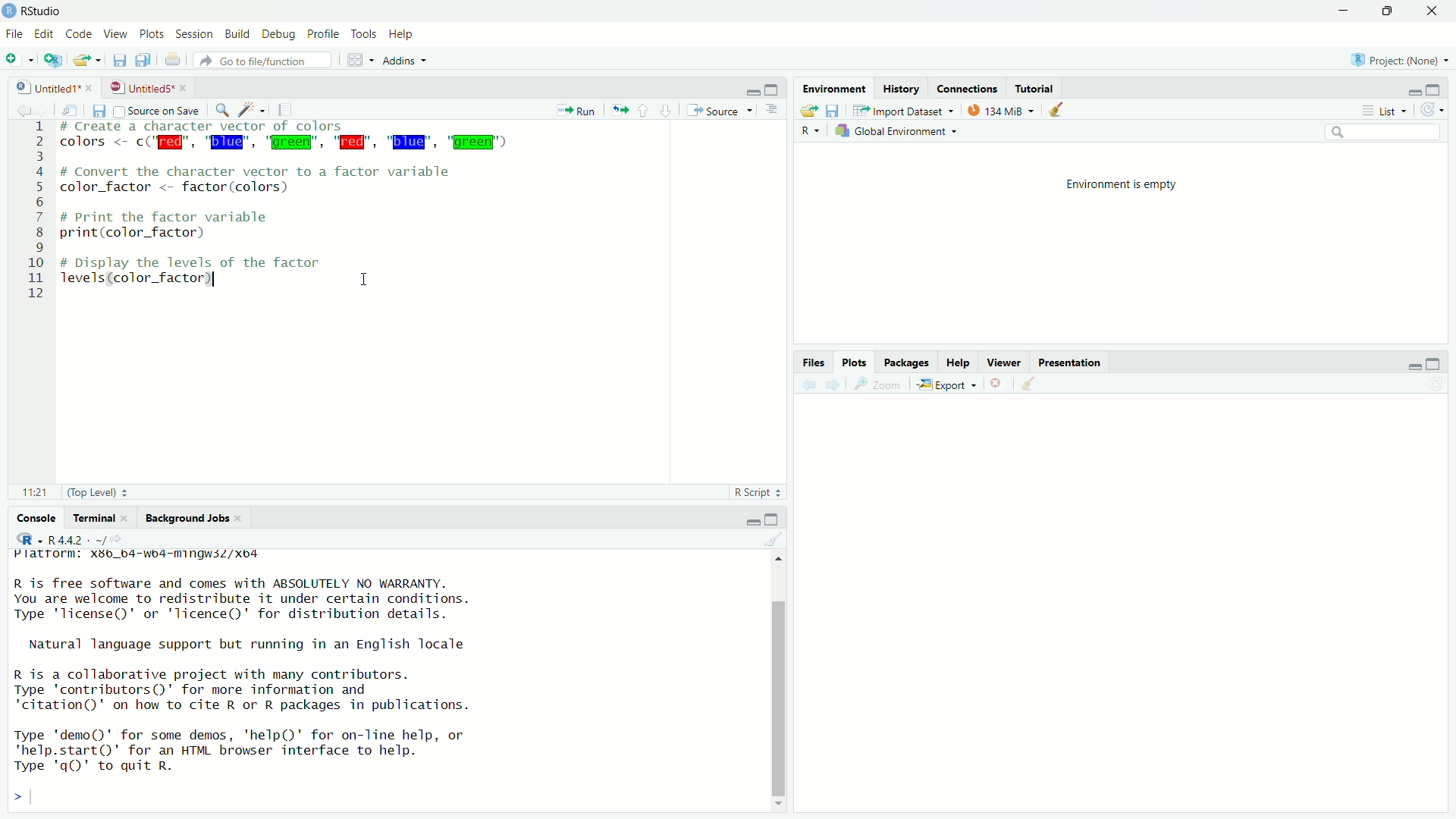 Image resolution: width=1456 pixels, height=819 pixels. Describe the element at coordinates (239, 33) in the screenshot. I see `build` at that location.